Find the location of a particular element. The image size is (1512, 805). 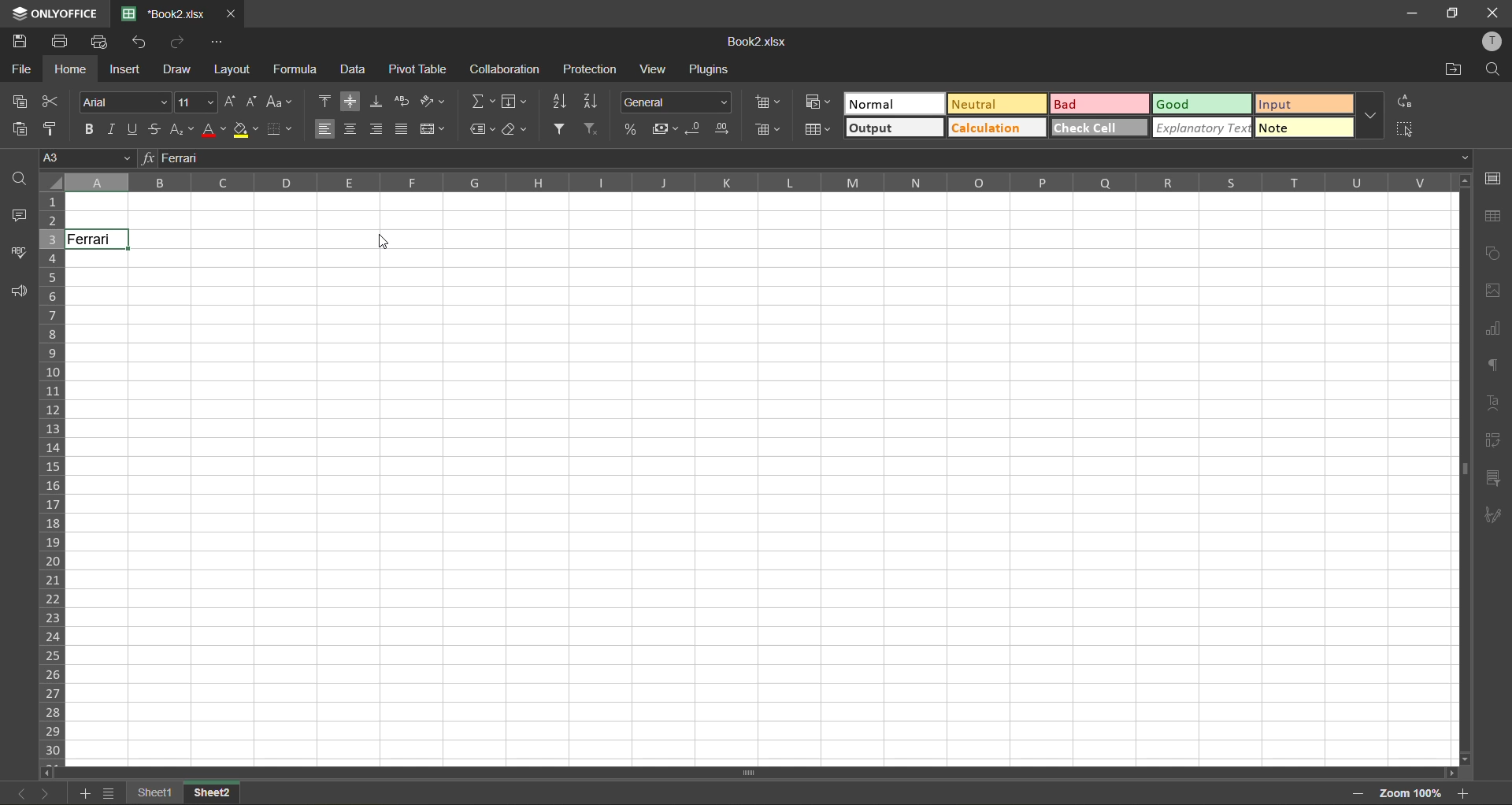

slicer is located at coordinates (1495, 476).